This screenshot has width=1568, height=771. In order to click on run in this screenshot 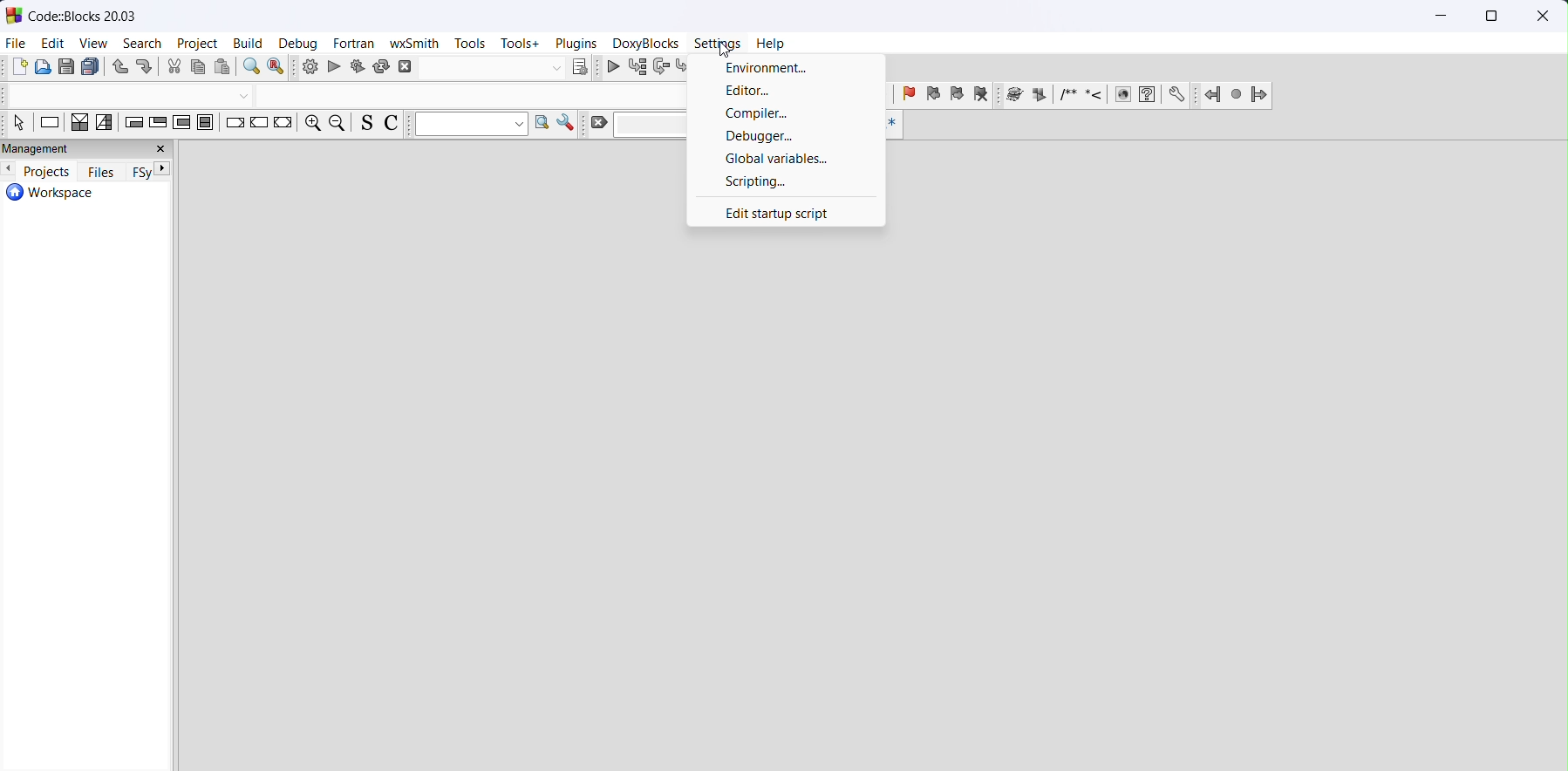, I will do `click(336, 67)`.